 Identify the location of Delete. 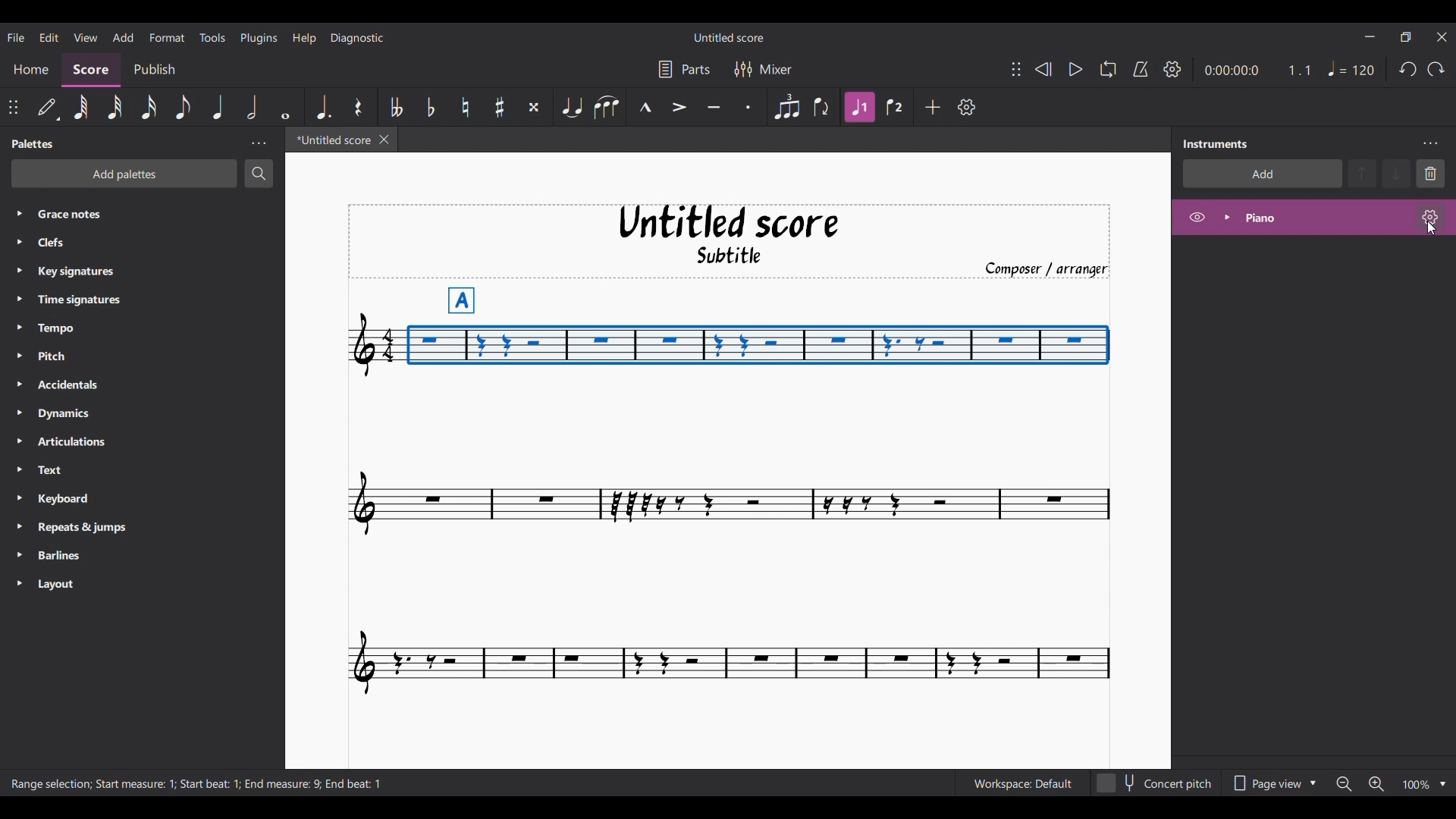
(1431, 174).